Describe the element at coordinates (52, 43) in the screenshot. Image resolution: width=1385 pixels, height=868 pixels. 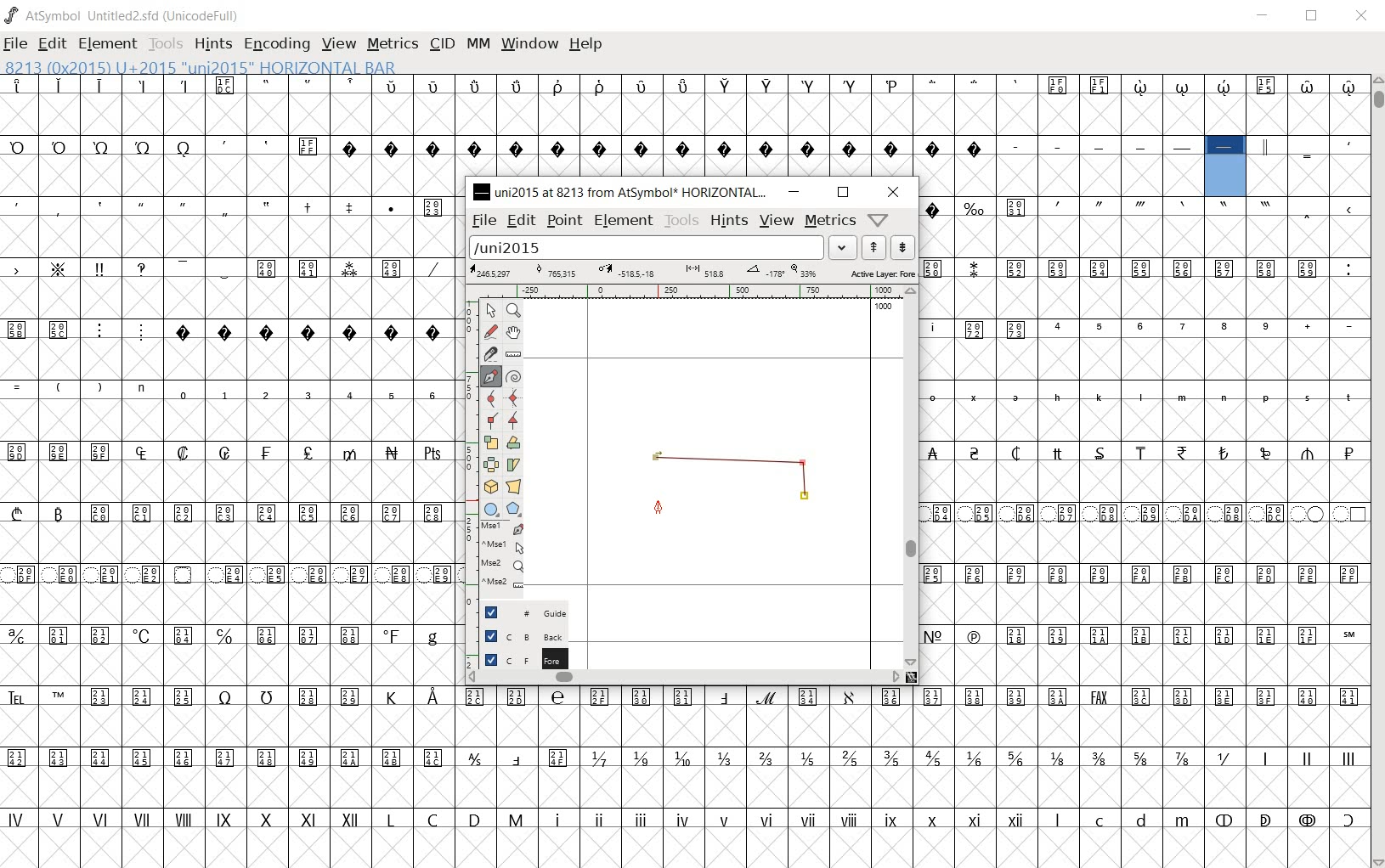
I see `EDIT` at that location.